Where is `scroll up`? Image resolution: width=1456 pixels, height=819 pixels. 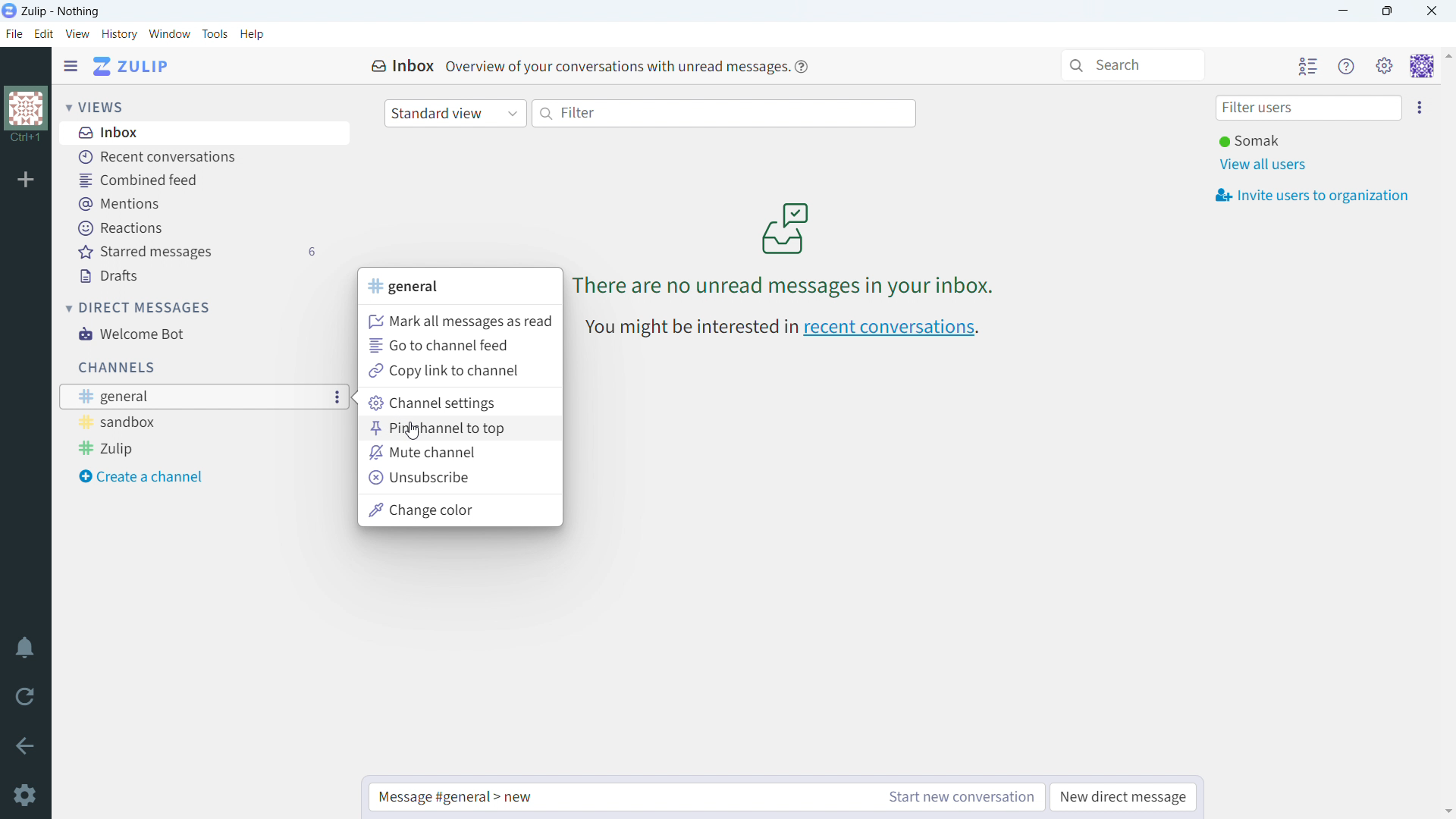 scroll up is located at coordinates (1447, 55).